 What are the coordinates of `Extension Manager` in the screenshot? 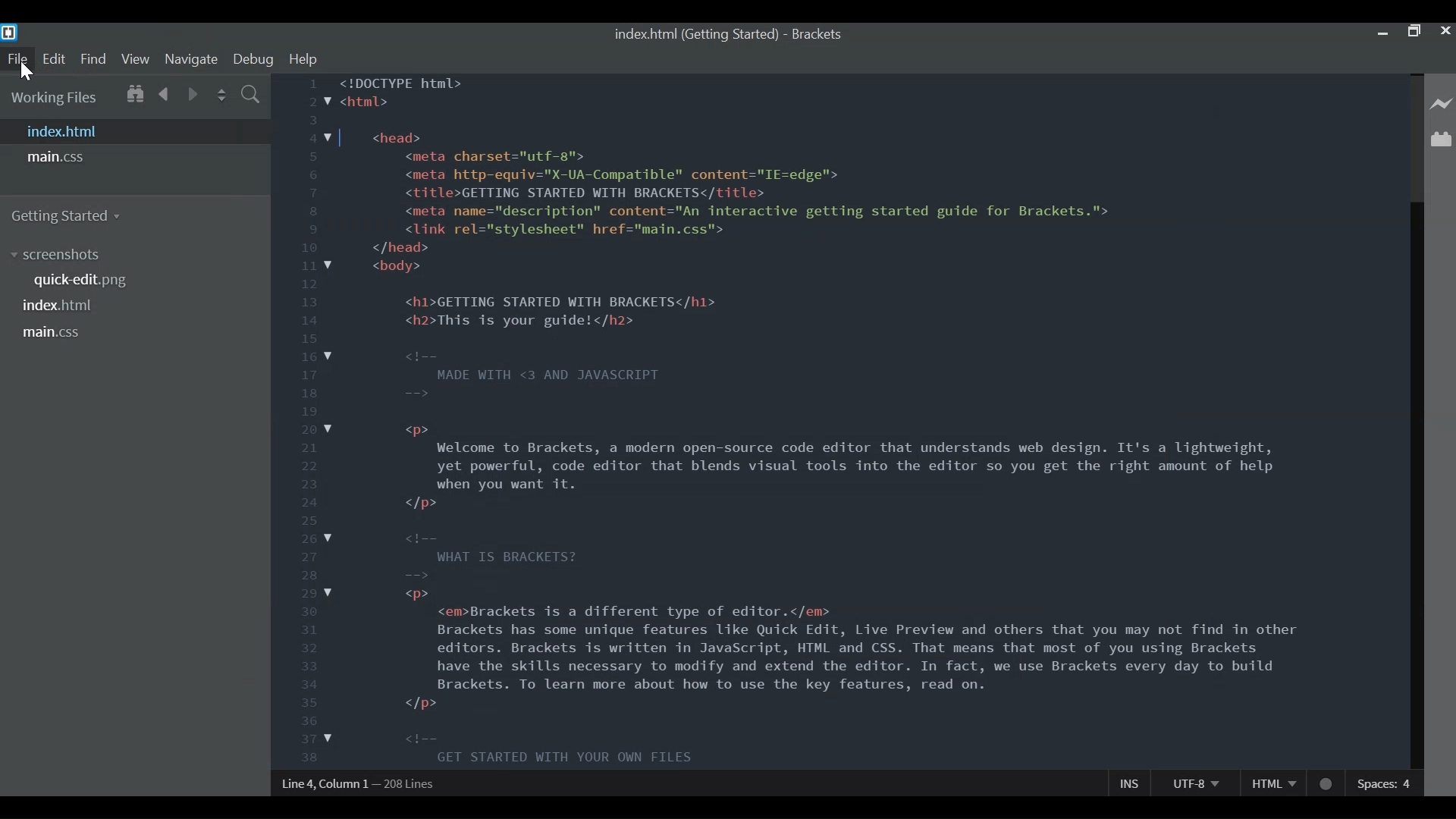 It's located at (1441, 136).